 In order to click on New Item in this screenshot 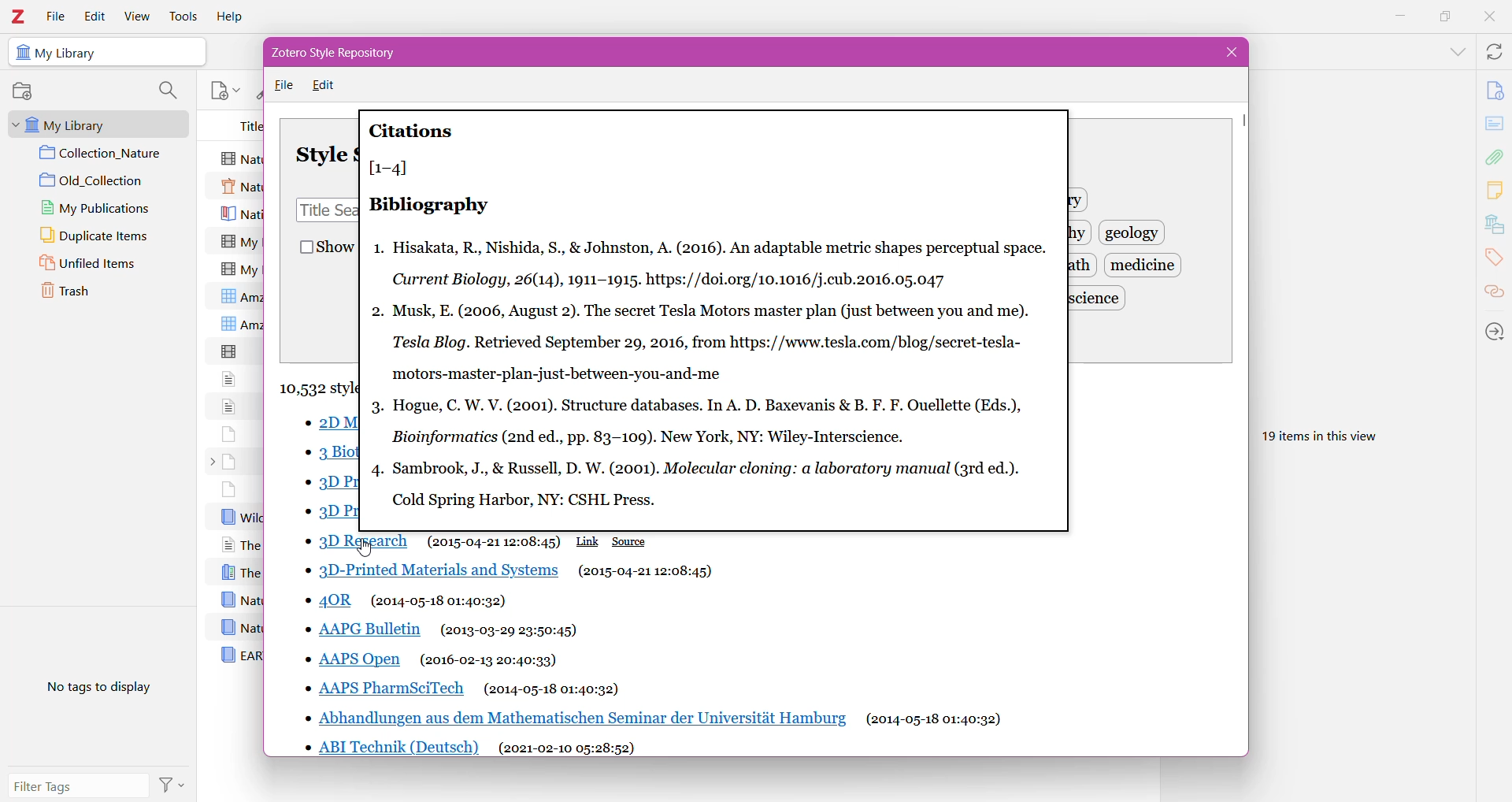, I will do `click(224, 89)`.